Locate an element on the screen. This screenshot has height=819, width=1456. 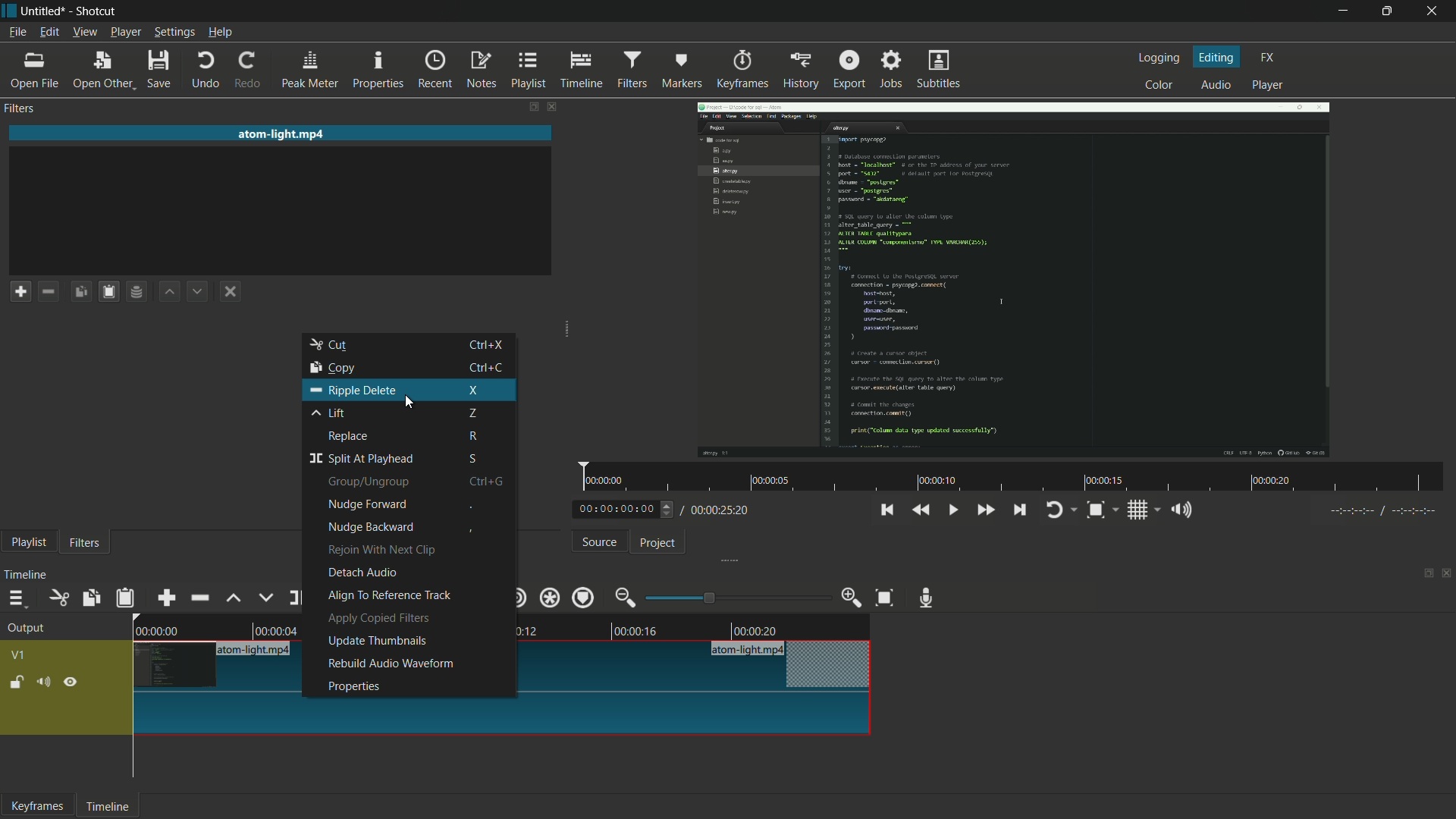
toggle grid is located at coordinates (1139, 510).